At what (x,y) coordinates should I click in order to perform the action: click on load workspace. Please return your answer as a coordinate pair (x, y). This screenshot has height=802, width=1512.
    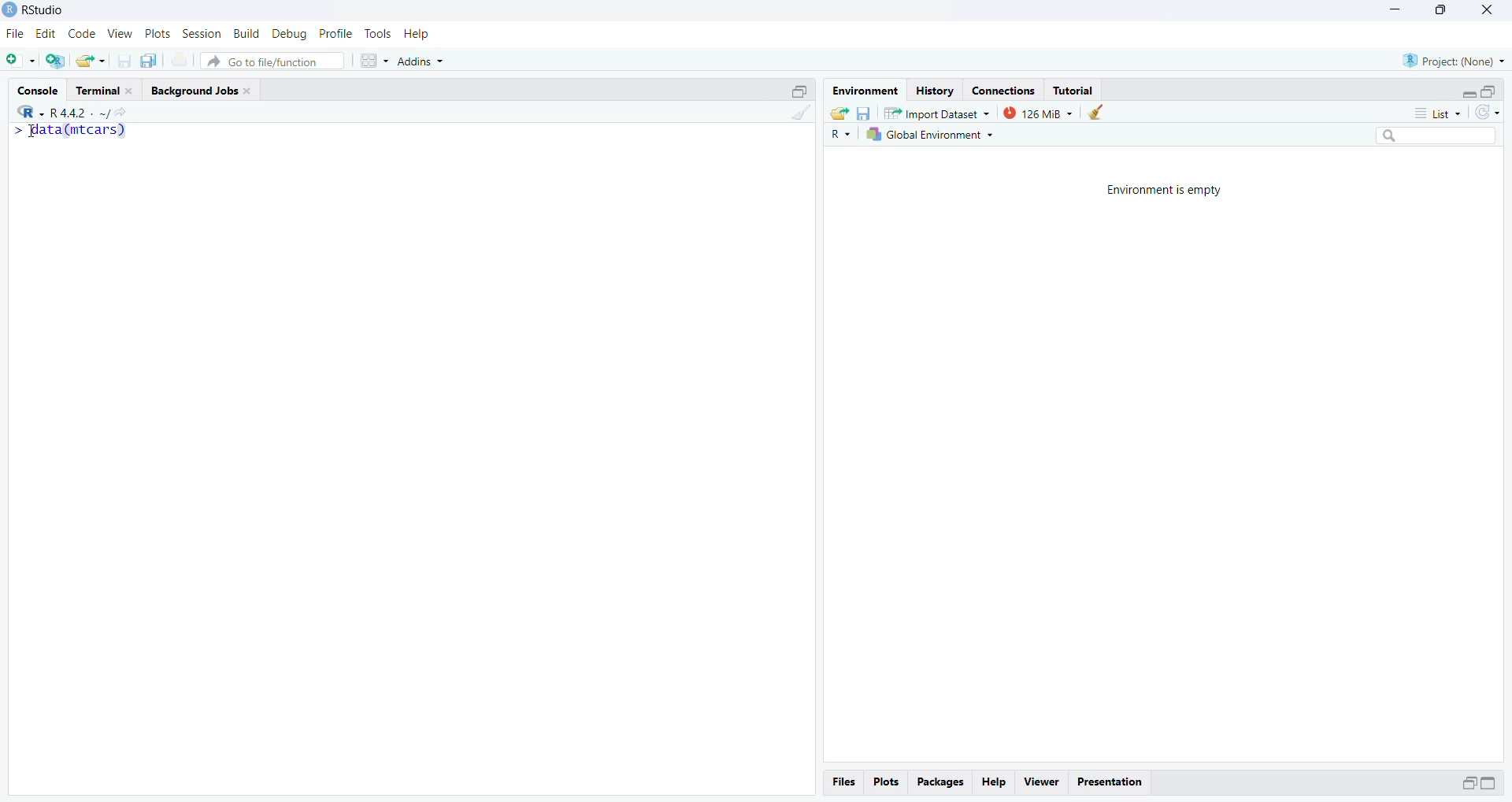
    Looking at the image, I should click on (839, 113).